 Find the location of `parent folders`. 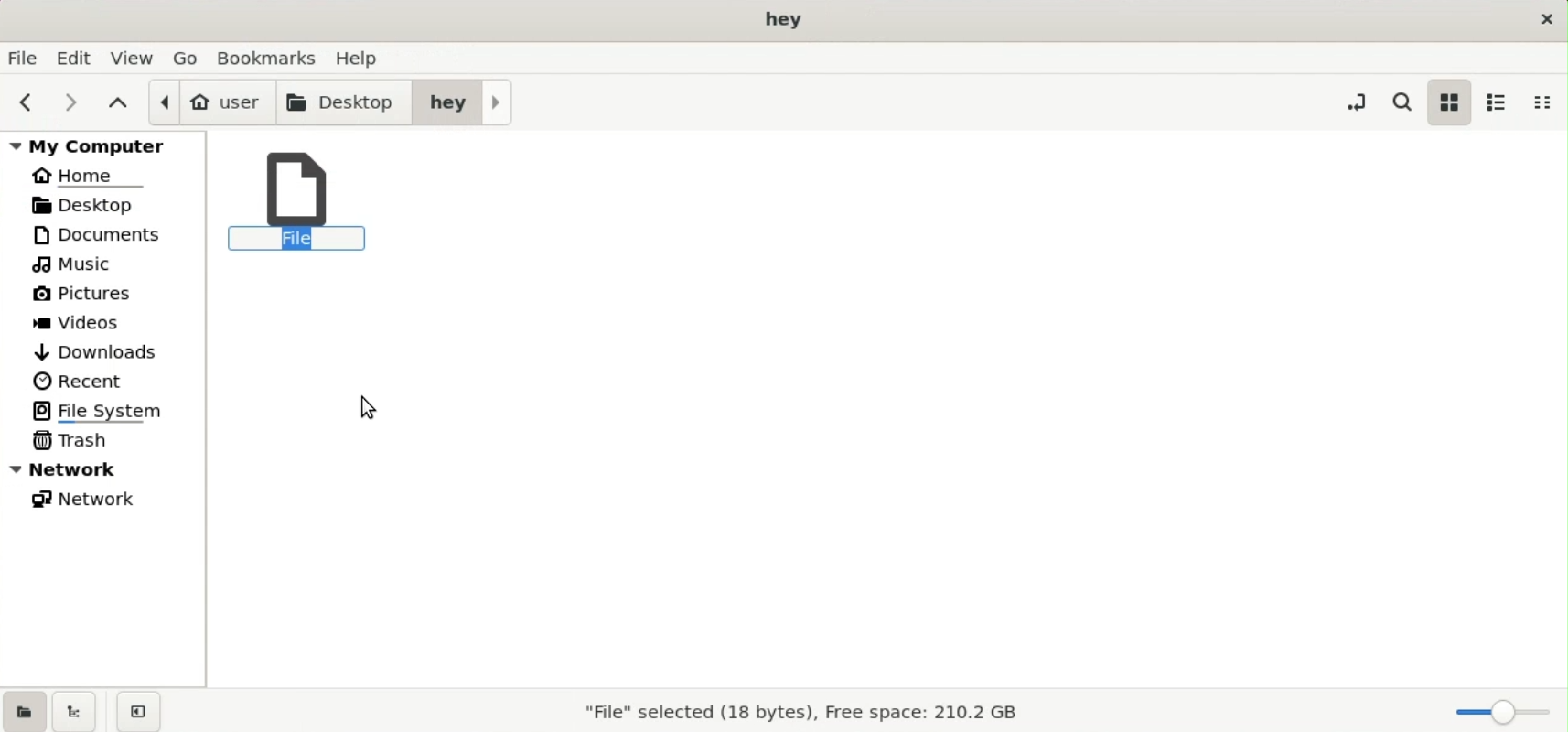

parent folders is located at coordinates (117, 102).